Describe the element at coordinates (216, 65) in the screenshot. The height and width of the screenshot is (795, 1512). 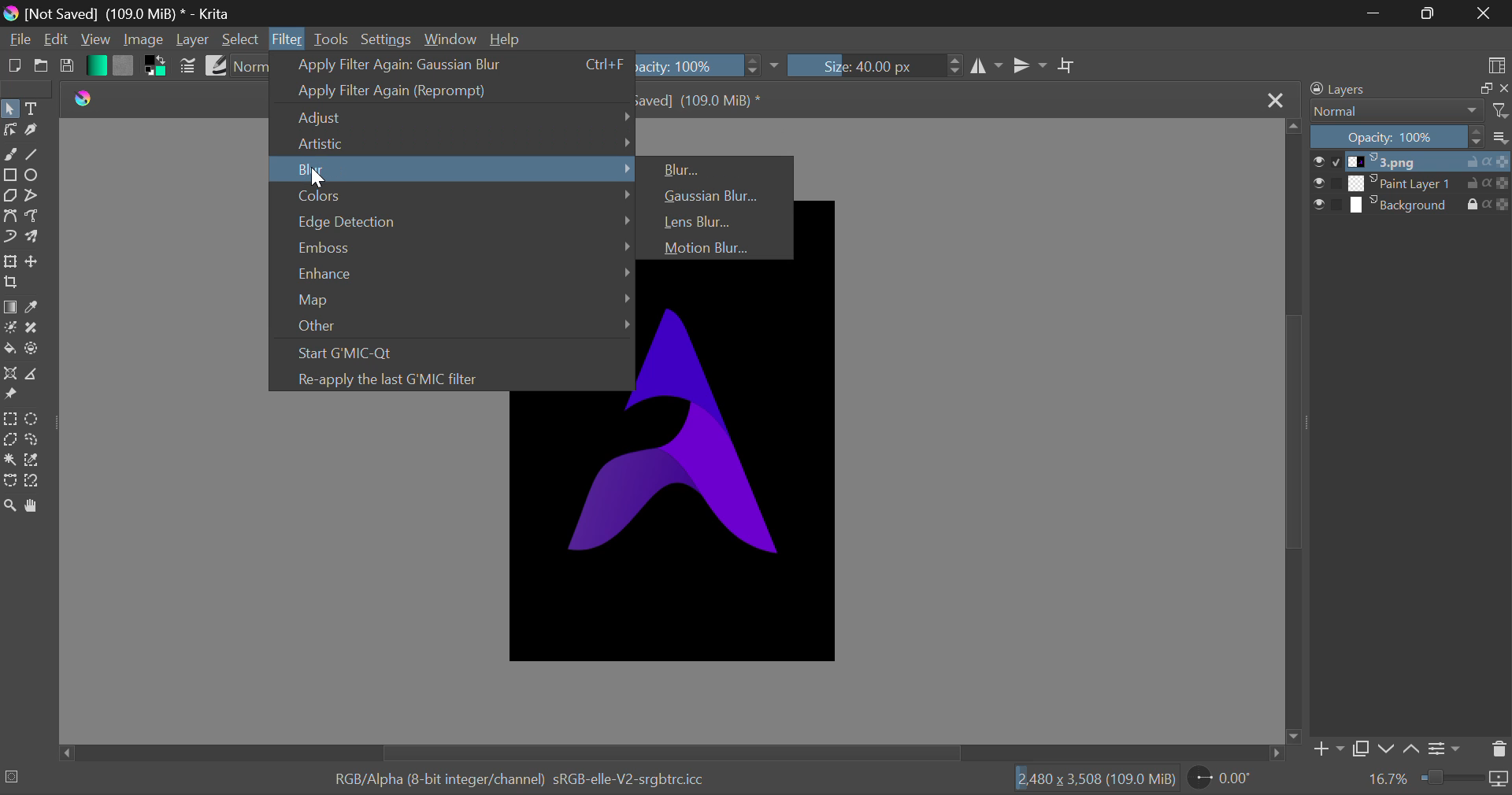
I see `Brush Presets` at that location.